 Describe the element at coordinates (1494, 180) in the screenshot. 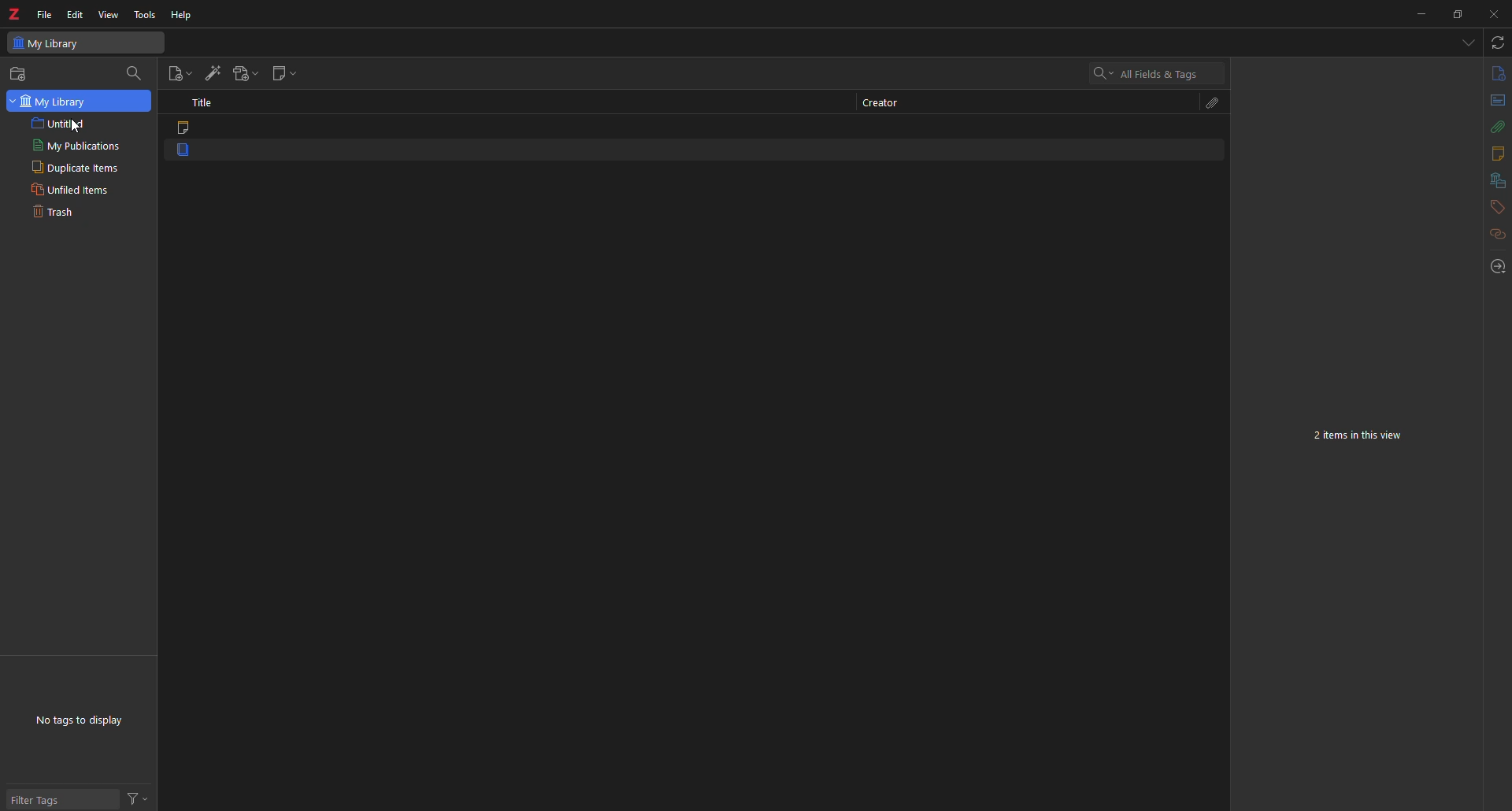

I see `libraries` at that location.